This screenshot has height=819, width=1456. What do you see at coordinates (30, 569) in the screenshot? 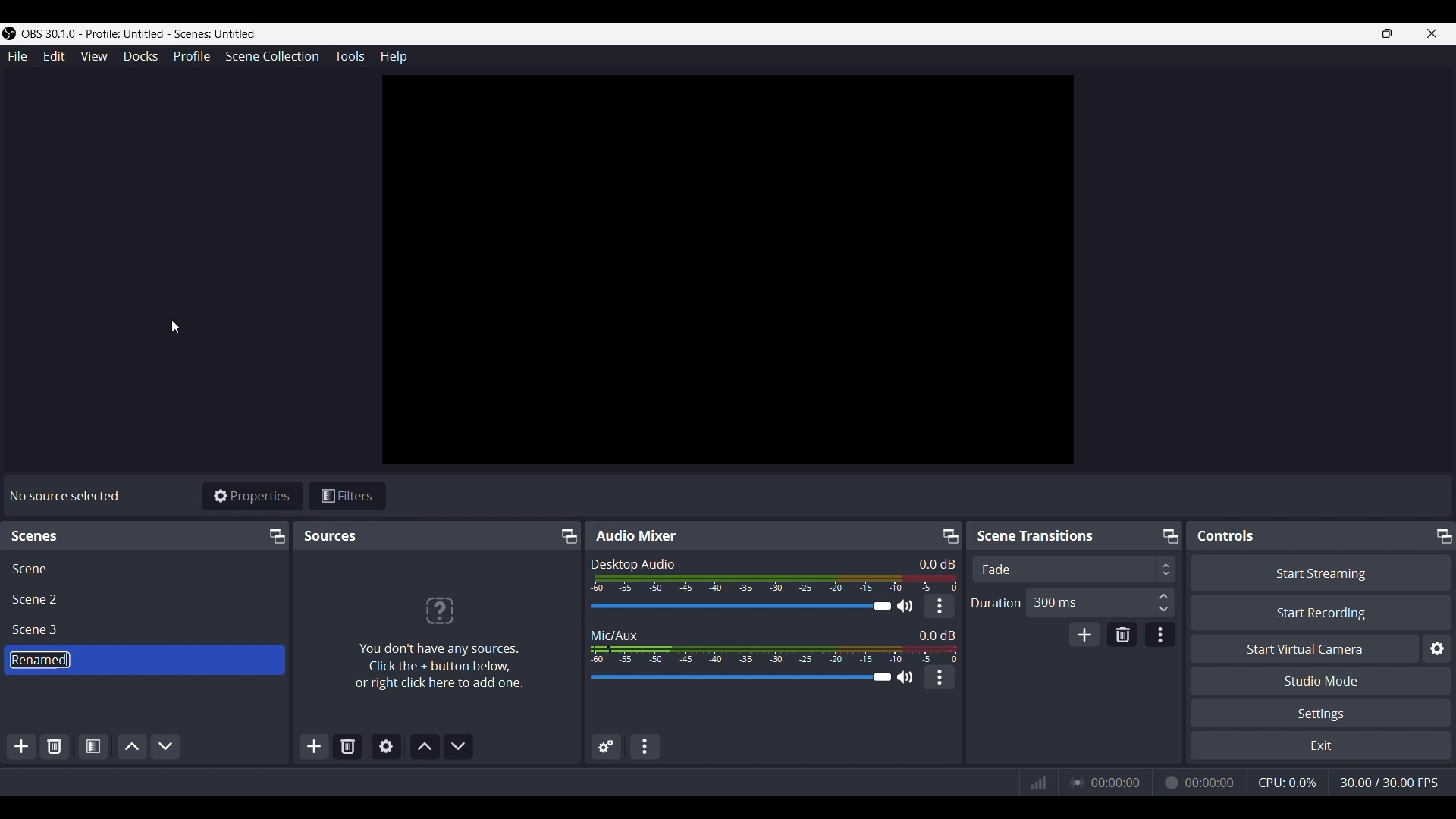
I see `Scene` at bounding box center [30, 569].